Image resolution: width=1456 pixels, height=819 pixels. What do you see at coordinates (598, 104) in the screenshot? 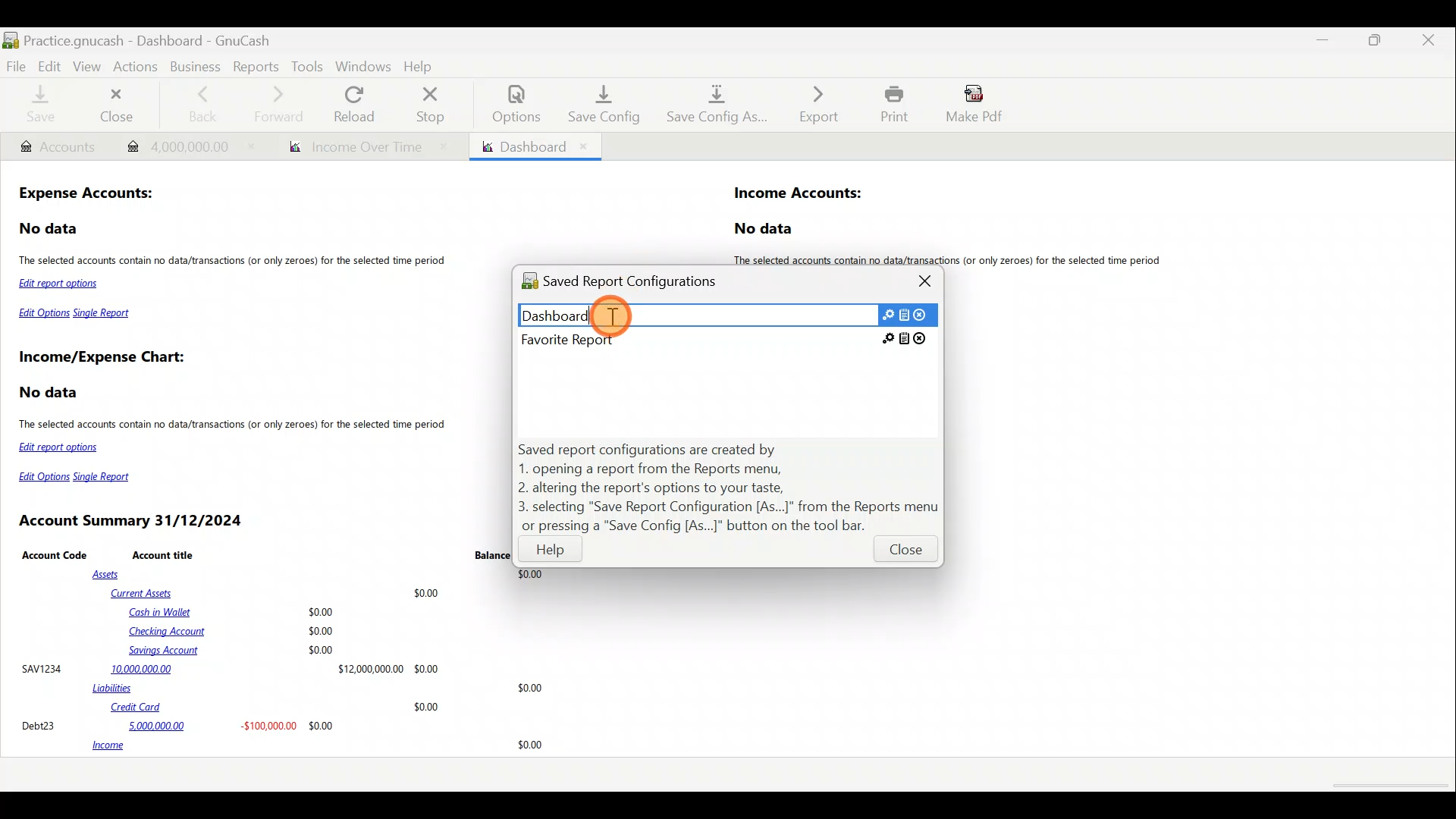
I see `Save config` at bounding box center [598, 104].